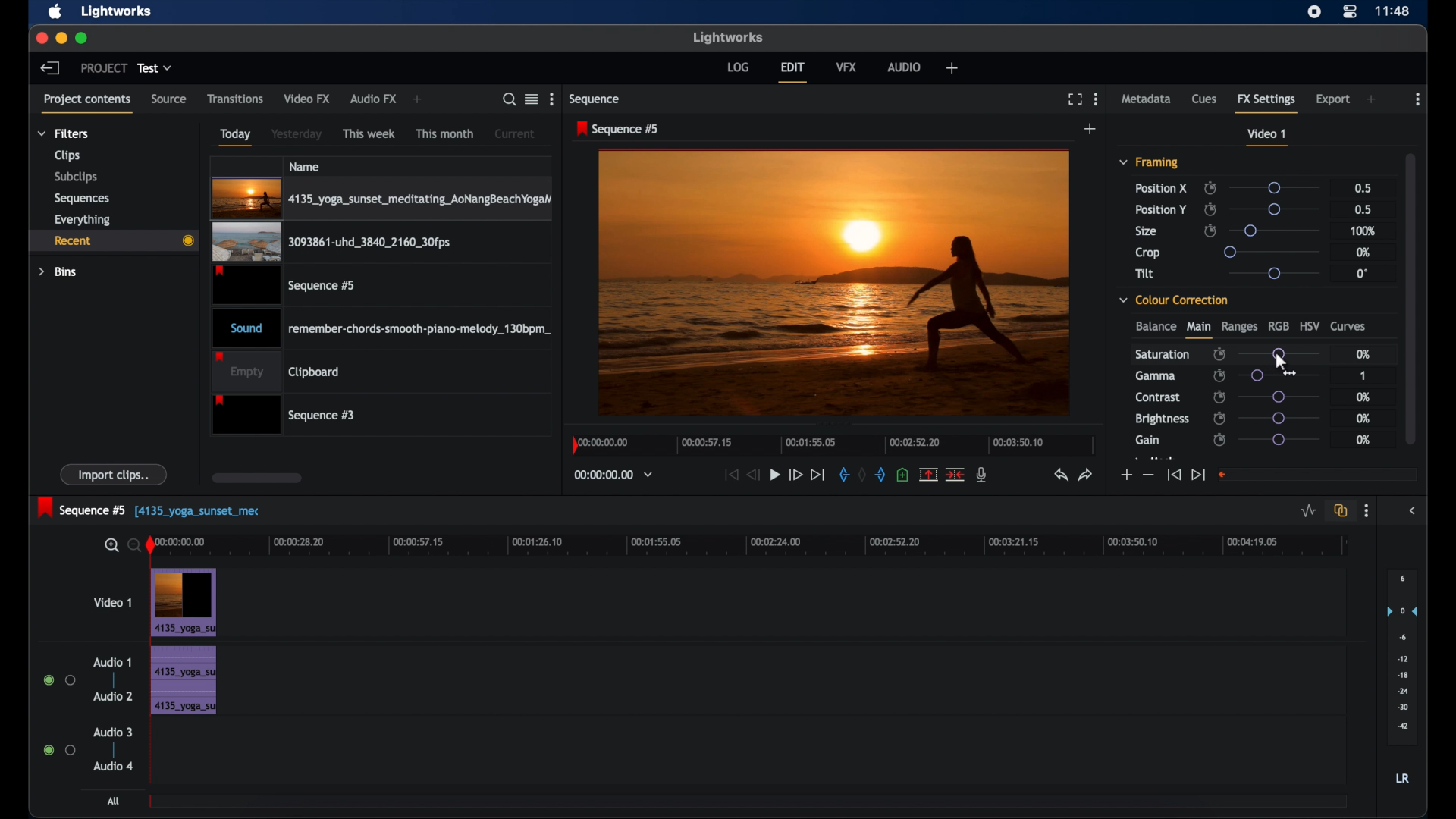 This screenshot has width=1456, height=819. What do you see at coordinates (1280, 397) in the screenshot?
I see `slider` at bounding box center [1280, 397].